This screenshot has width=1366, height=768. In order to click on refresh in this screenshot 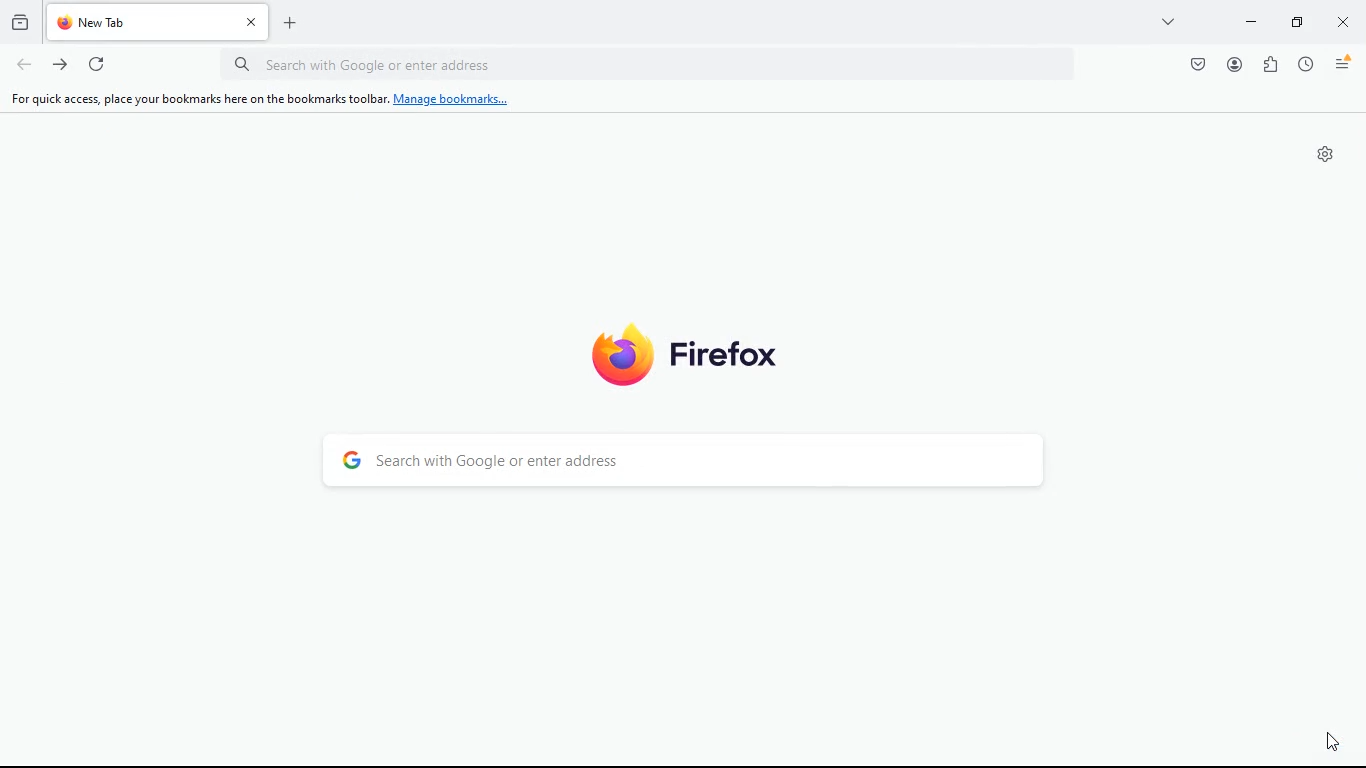, I will do `click(98, 64)`.